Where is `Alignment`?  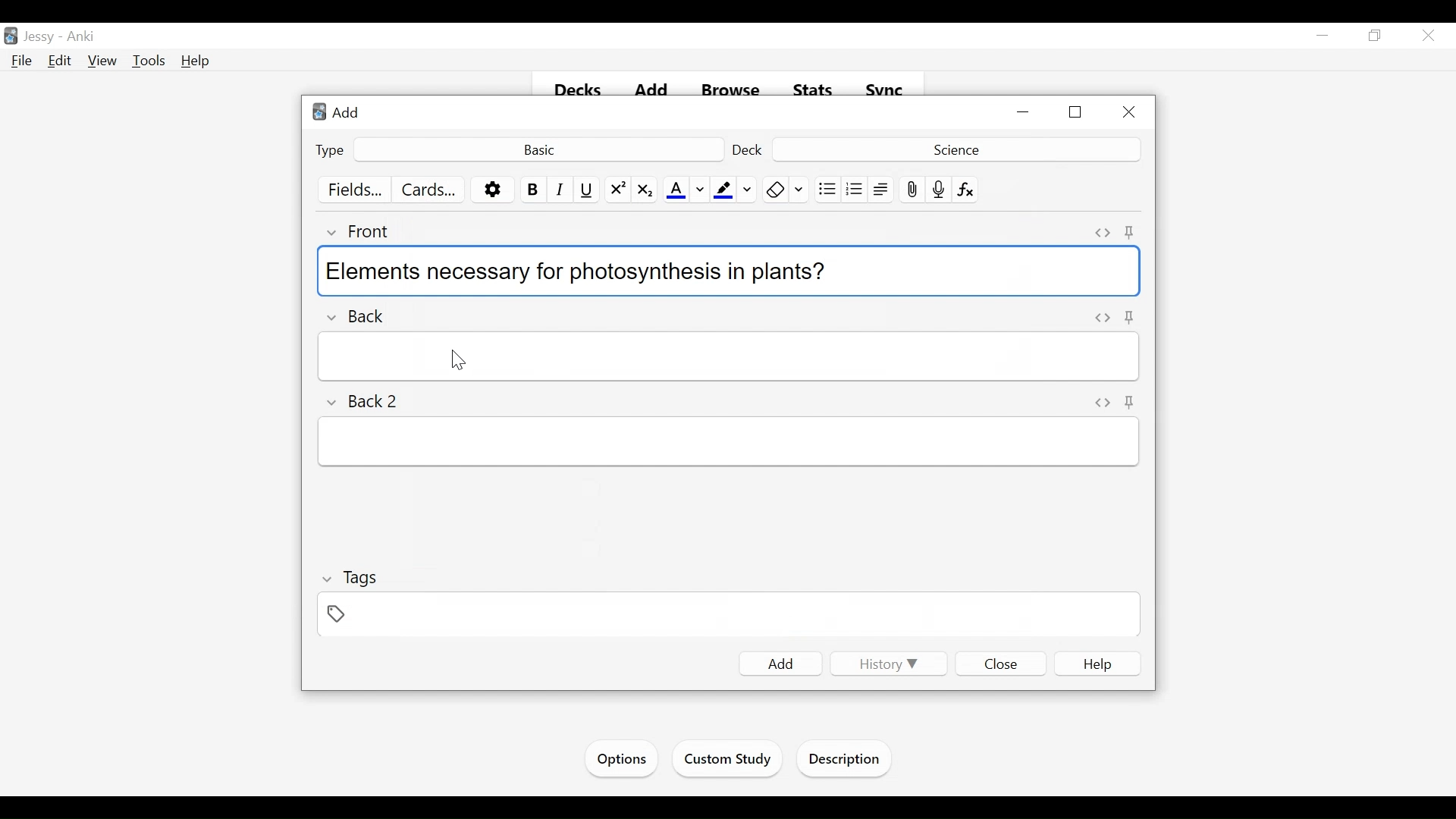
Alignment is located at coordinates (881, 190).